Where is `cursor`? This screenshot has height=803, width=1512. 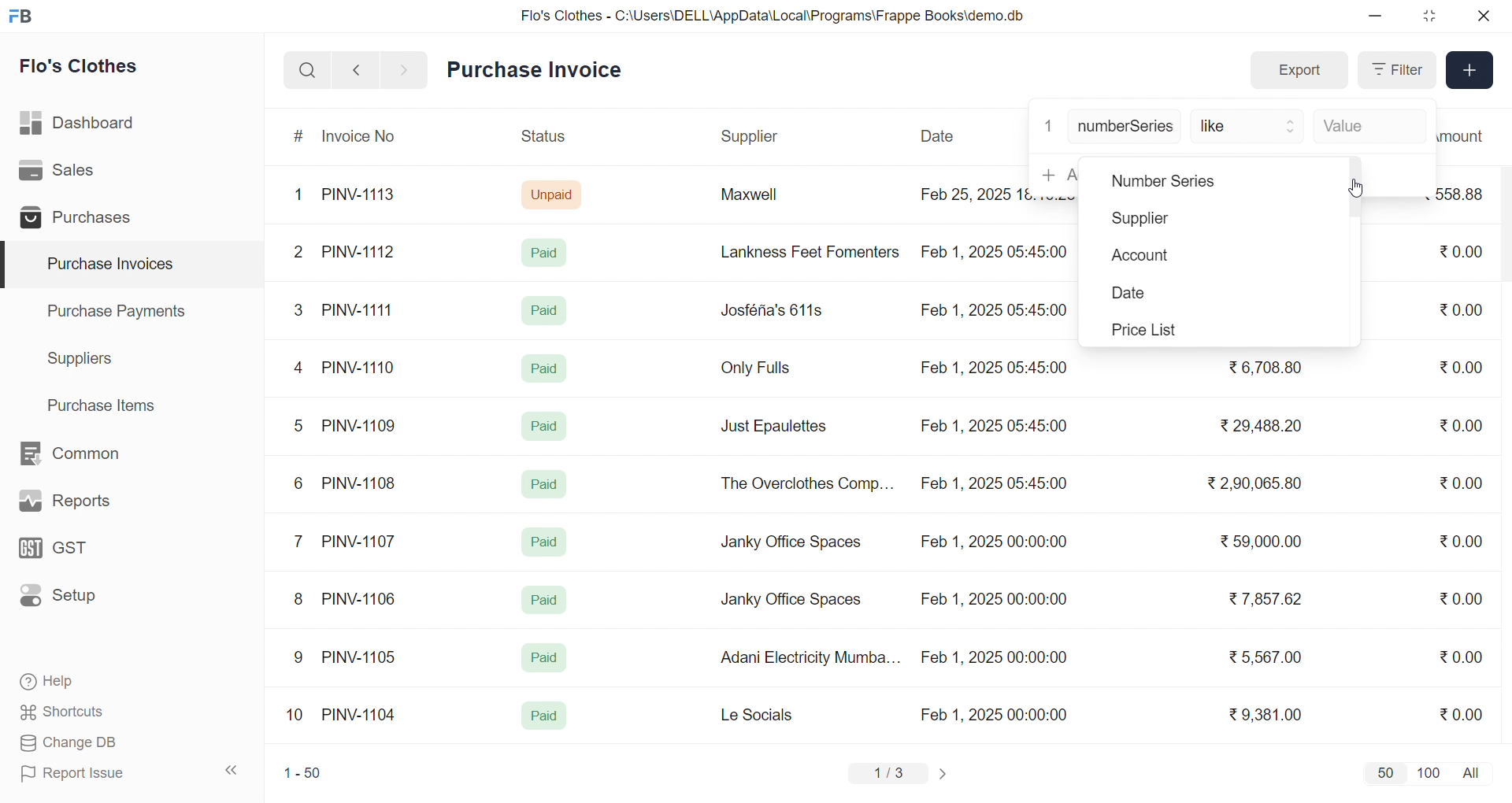
cursor is located at coordinates (1351, 186).